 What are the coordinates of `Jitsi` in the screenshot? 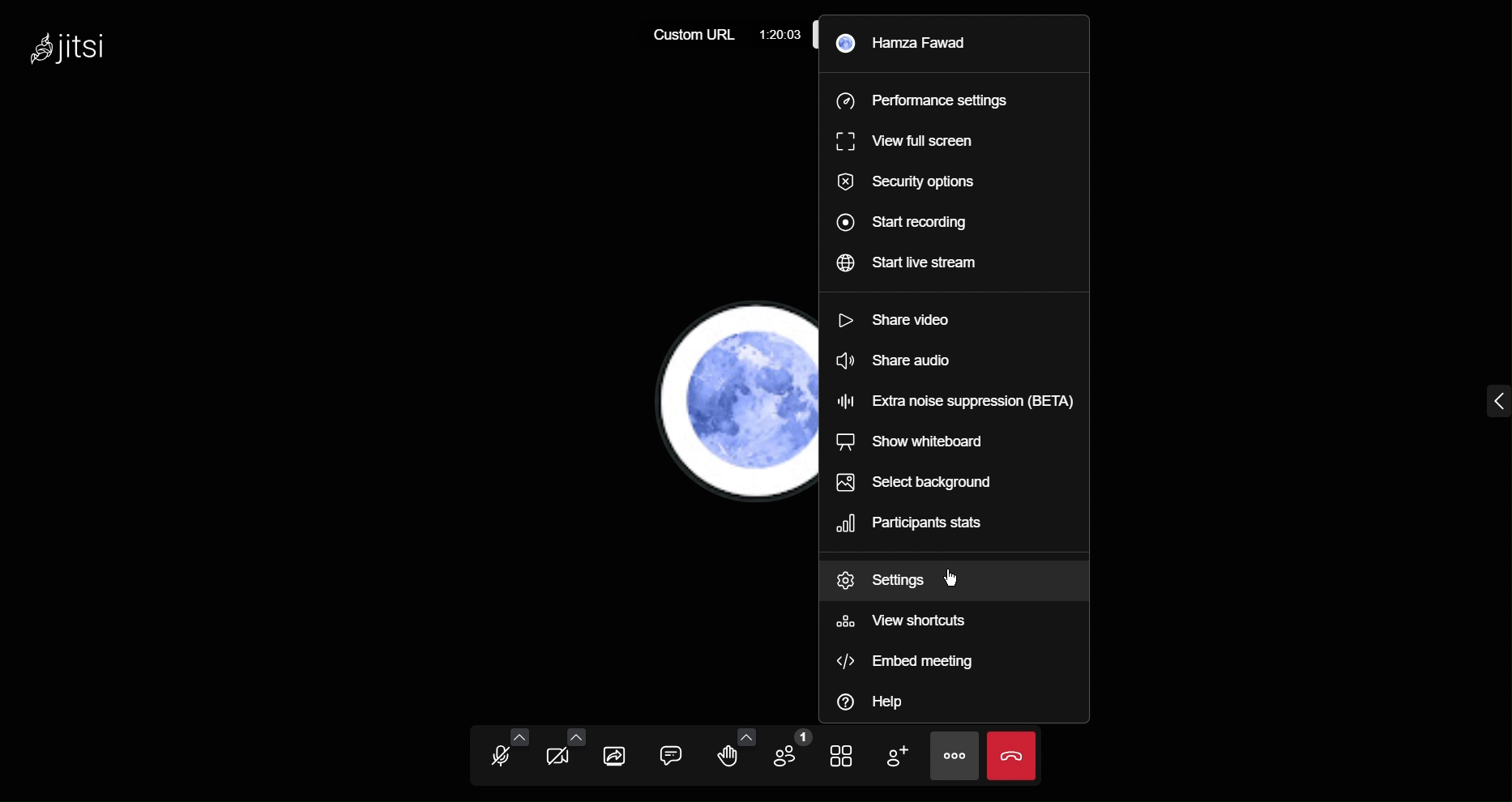 It's located at (70, 48).